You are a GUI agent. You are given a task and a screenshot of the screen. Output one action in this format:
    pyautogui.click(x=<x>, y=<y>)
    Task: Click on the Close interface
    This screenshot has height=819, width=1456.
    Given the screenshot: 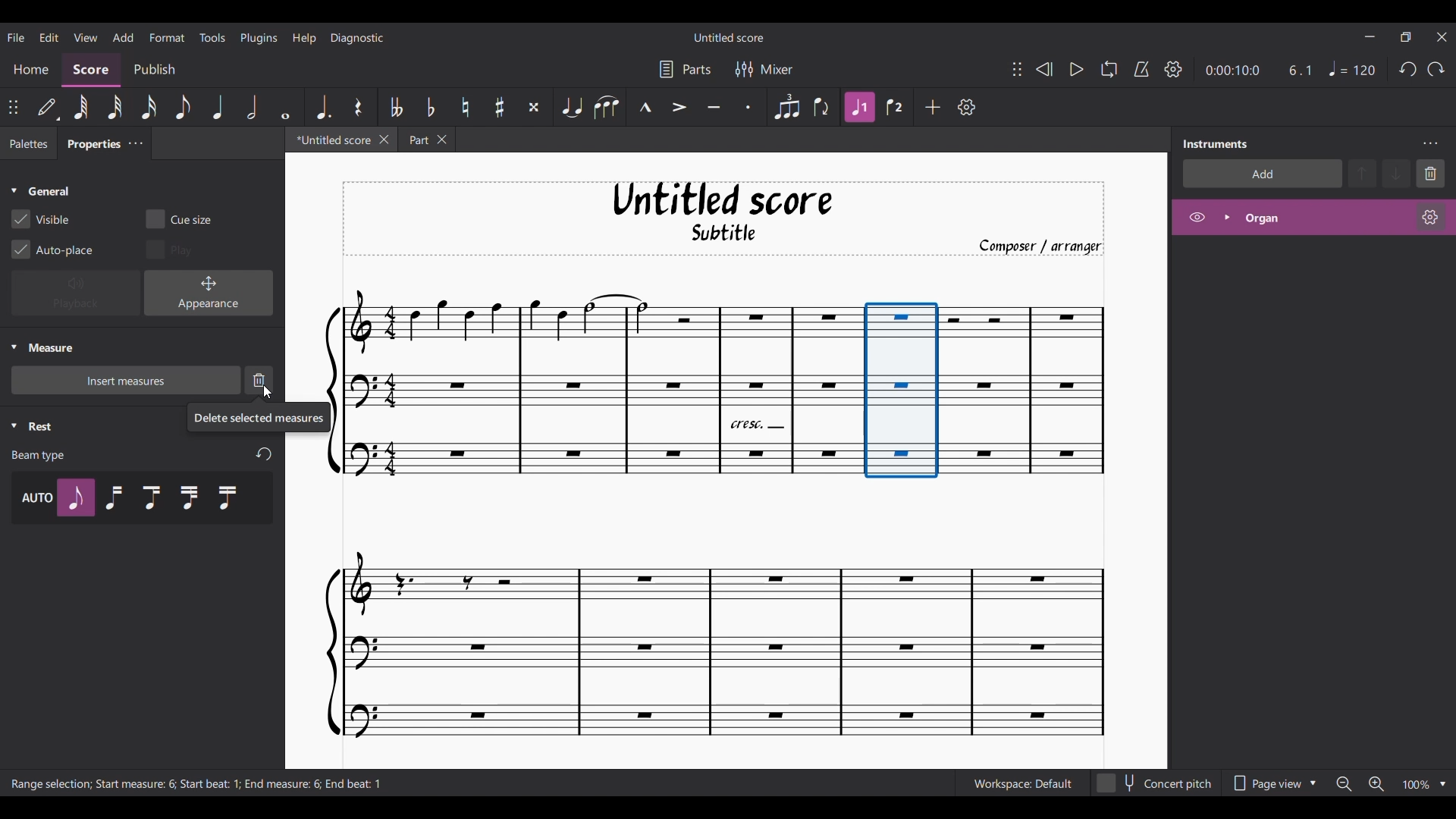 What is the action you would take?
    pyautogui.click(x=1442, y=37)
    